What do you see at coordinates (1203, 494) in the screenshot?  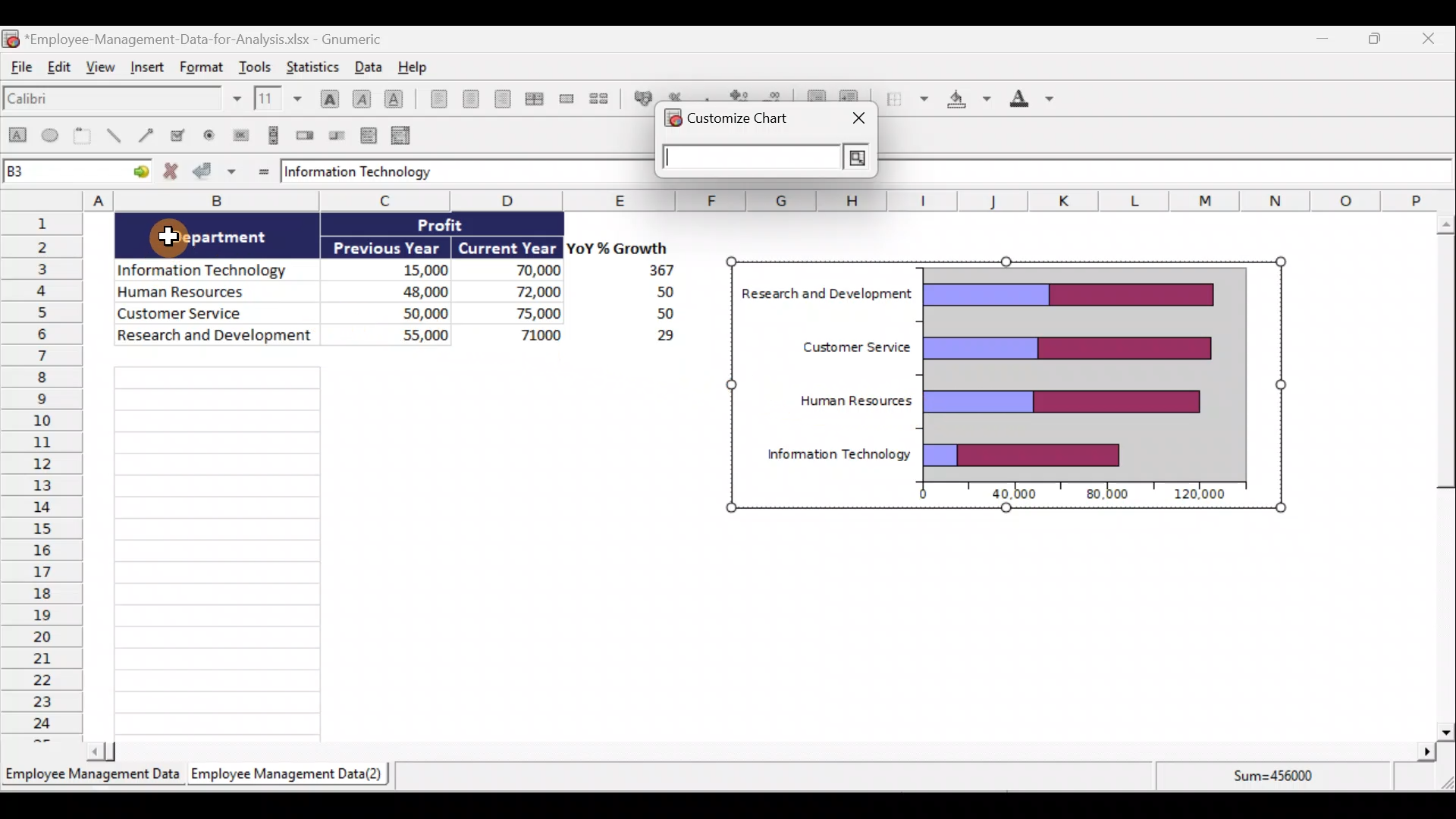 I see `120.000` at bounding box center [1203, 494].